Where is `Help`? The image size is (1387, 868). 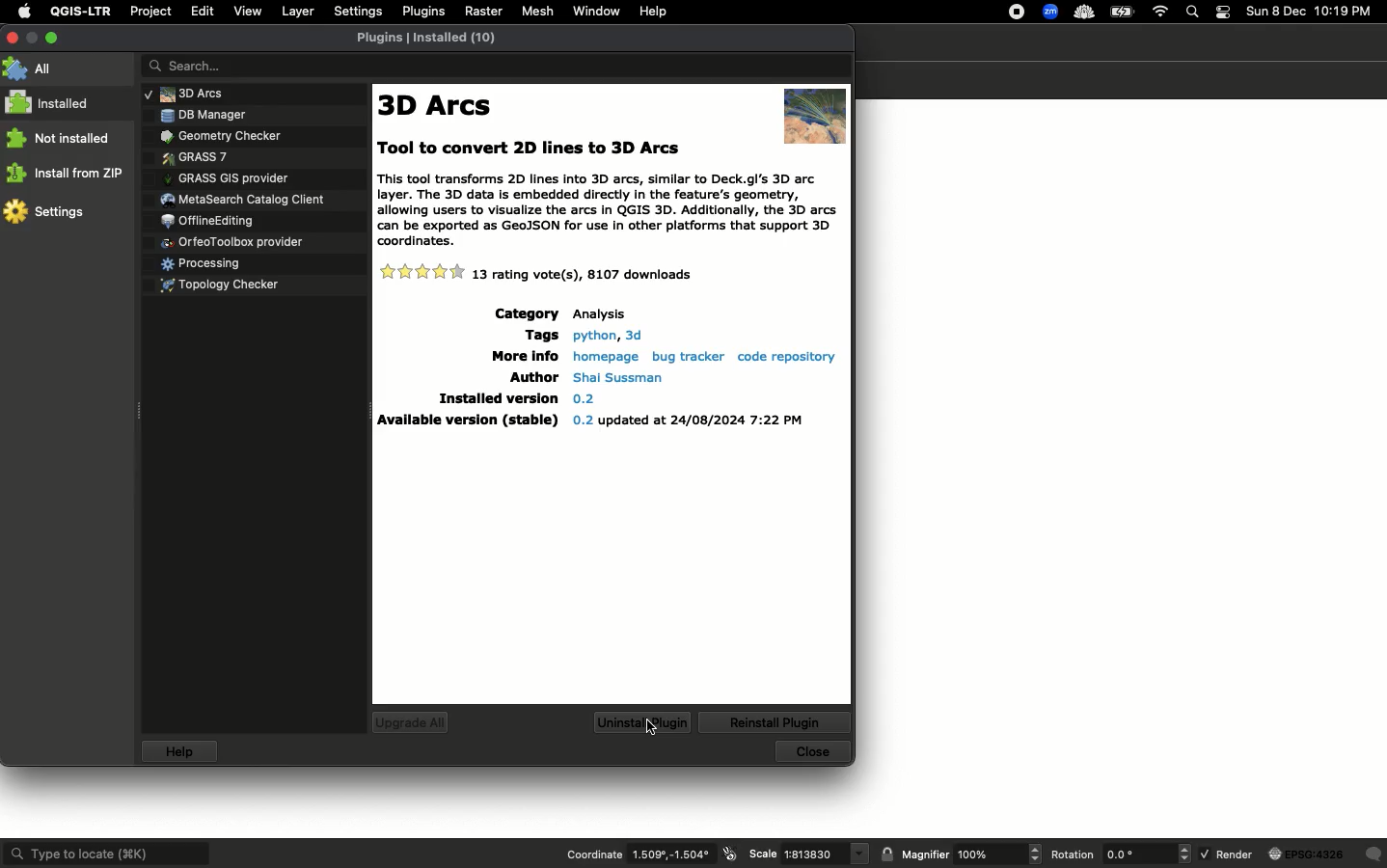 Help is located at coordinates (181, 751).